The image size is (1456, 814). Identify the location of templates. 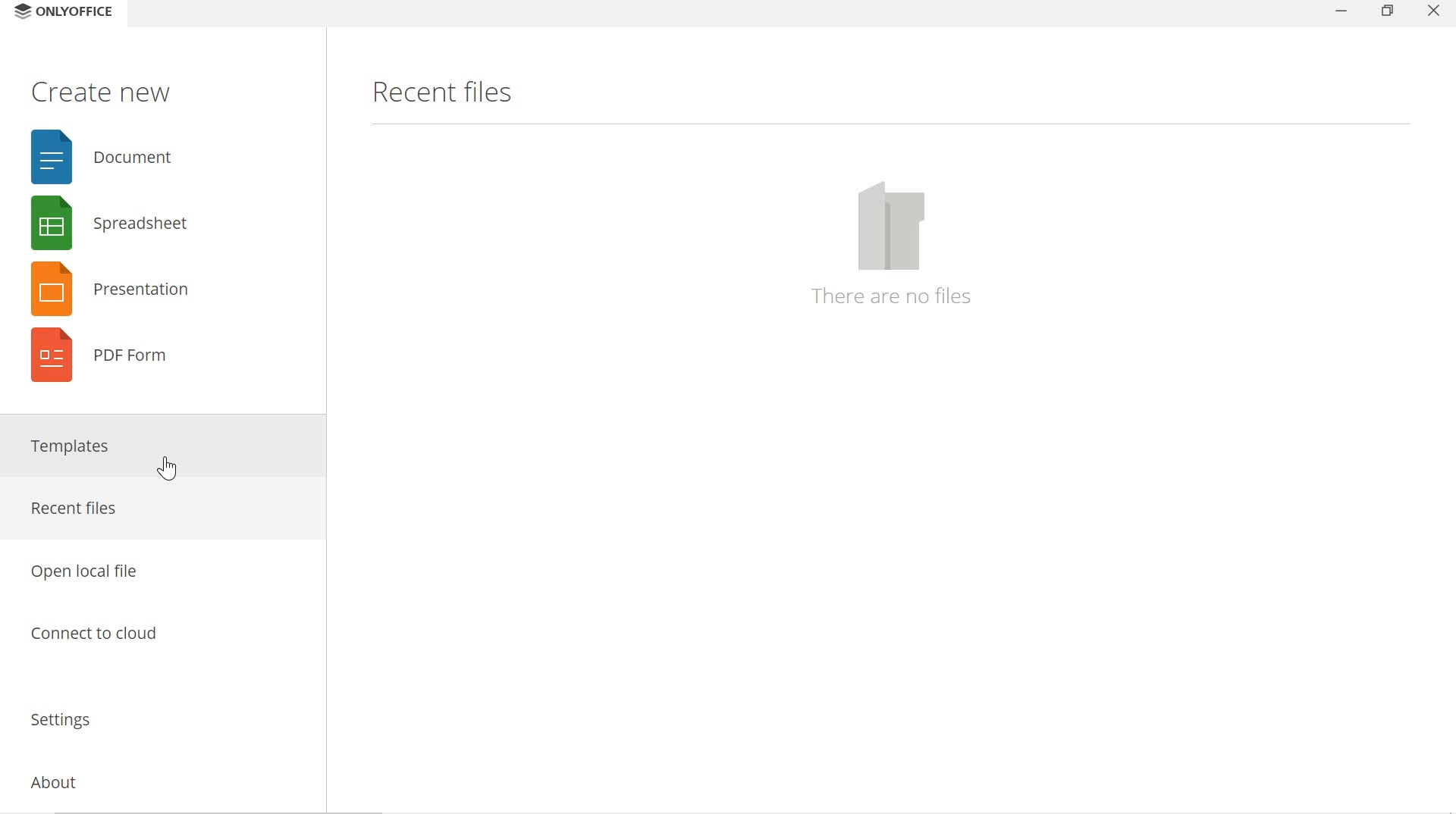
(159, 447).